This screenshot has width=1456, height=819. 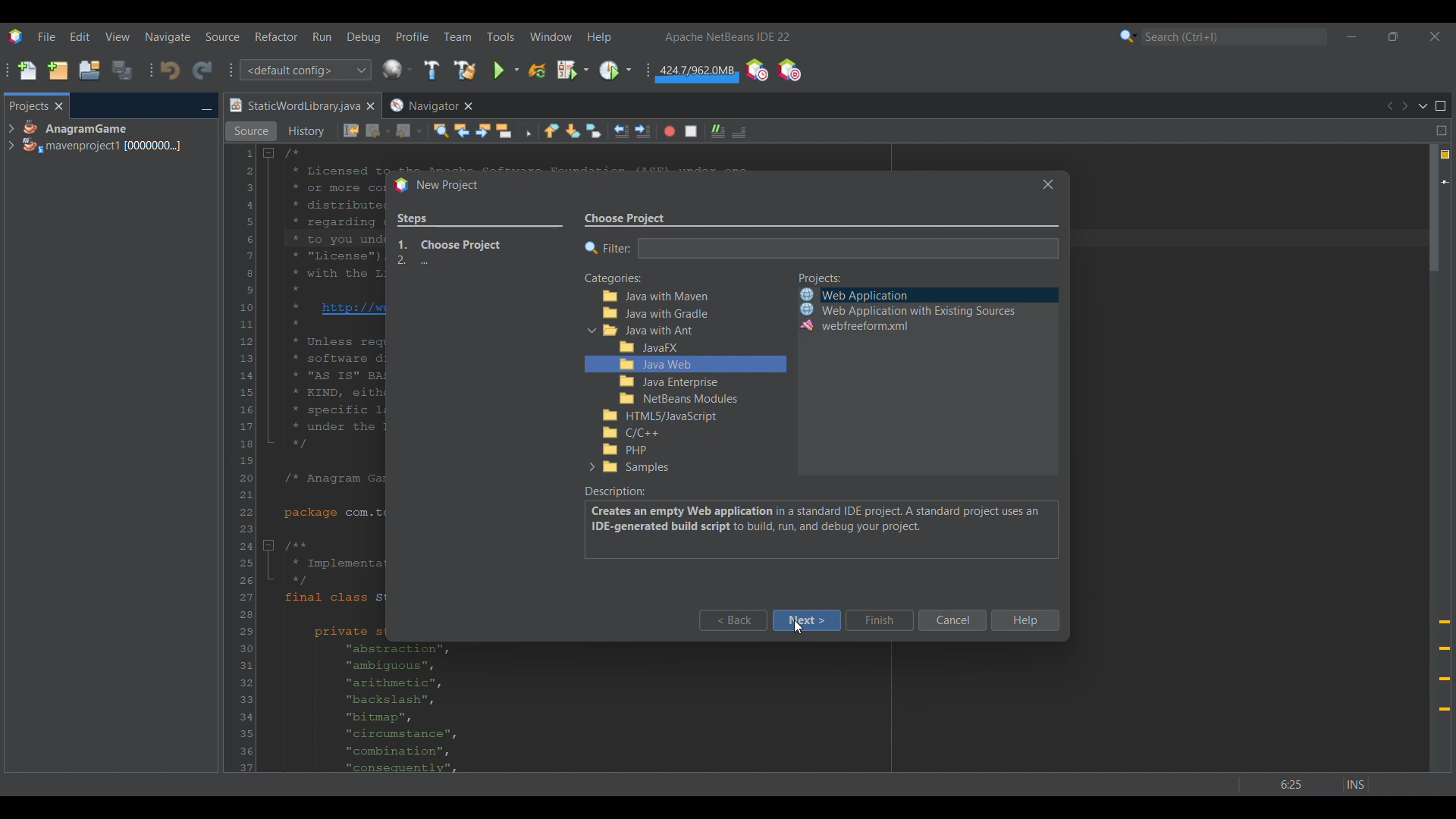 What do you see at coordinates (276, 36) in the screenshot?
I see `Refactor menu` at bounding box center [276, 36].